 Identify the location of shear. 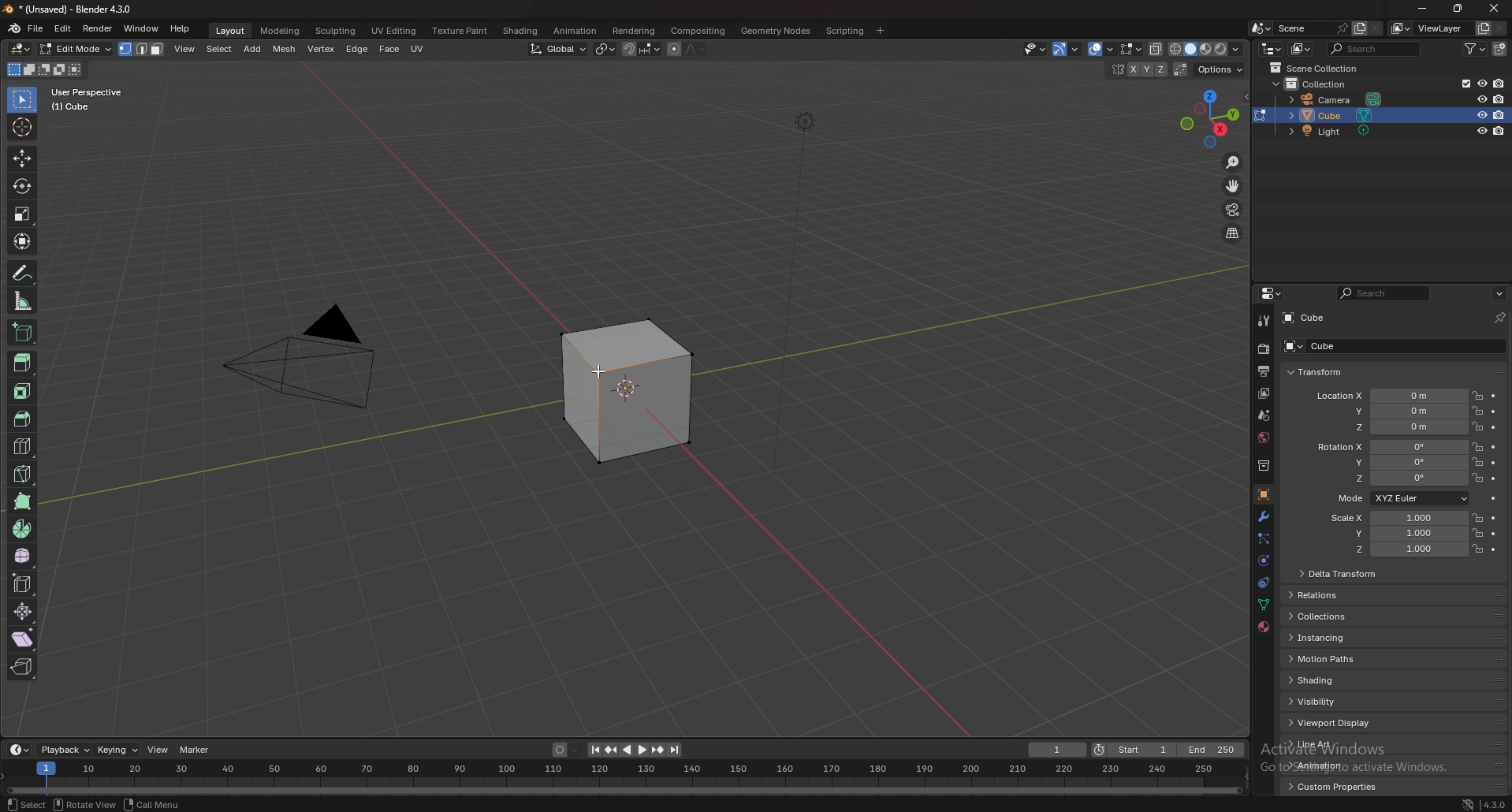
(20, 639).